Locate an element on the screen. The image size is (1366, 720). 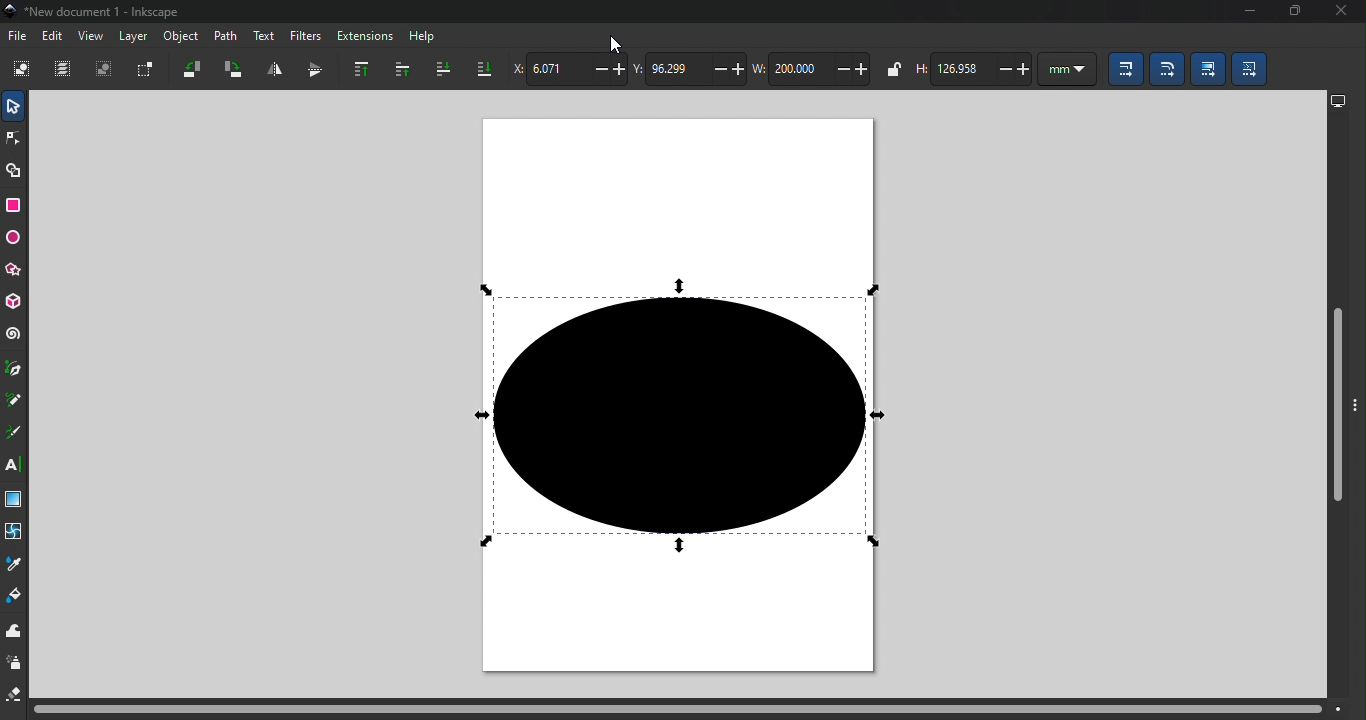
File name is located at coordinates (95, 13).